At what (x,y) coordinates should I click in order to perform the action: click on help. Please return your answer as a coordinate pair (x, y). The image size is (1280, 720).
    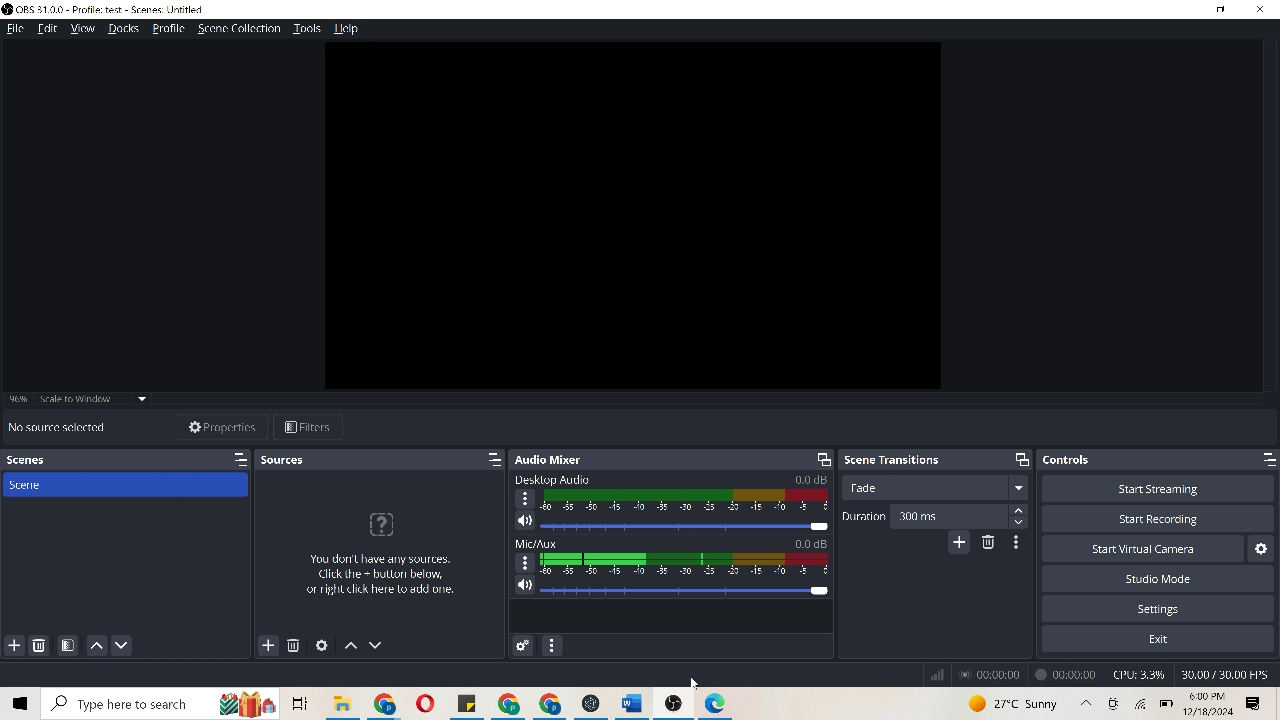
    Looking at the image, I should click on (348, 28).